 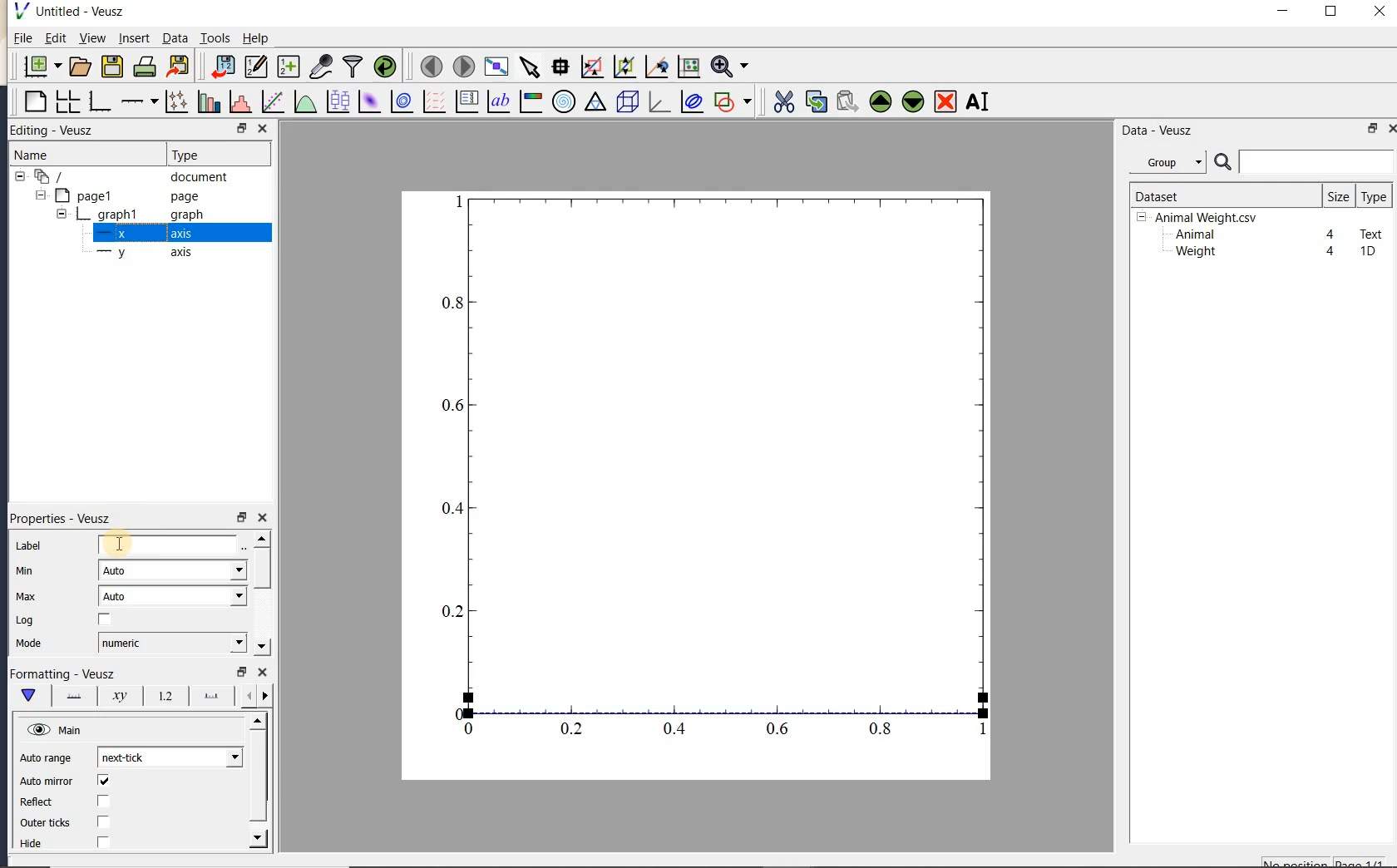 I want to click on Editing - Veusz, so click(x=61, y=131).